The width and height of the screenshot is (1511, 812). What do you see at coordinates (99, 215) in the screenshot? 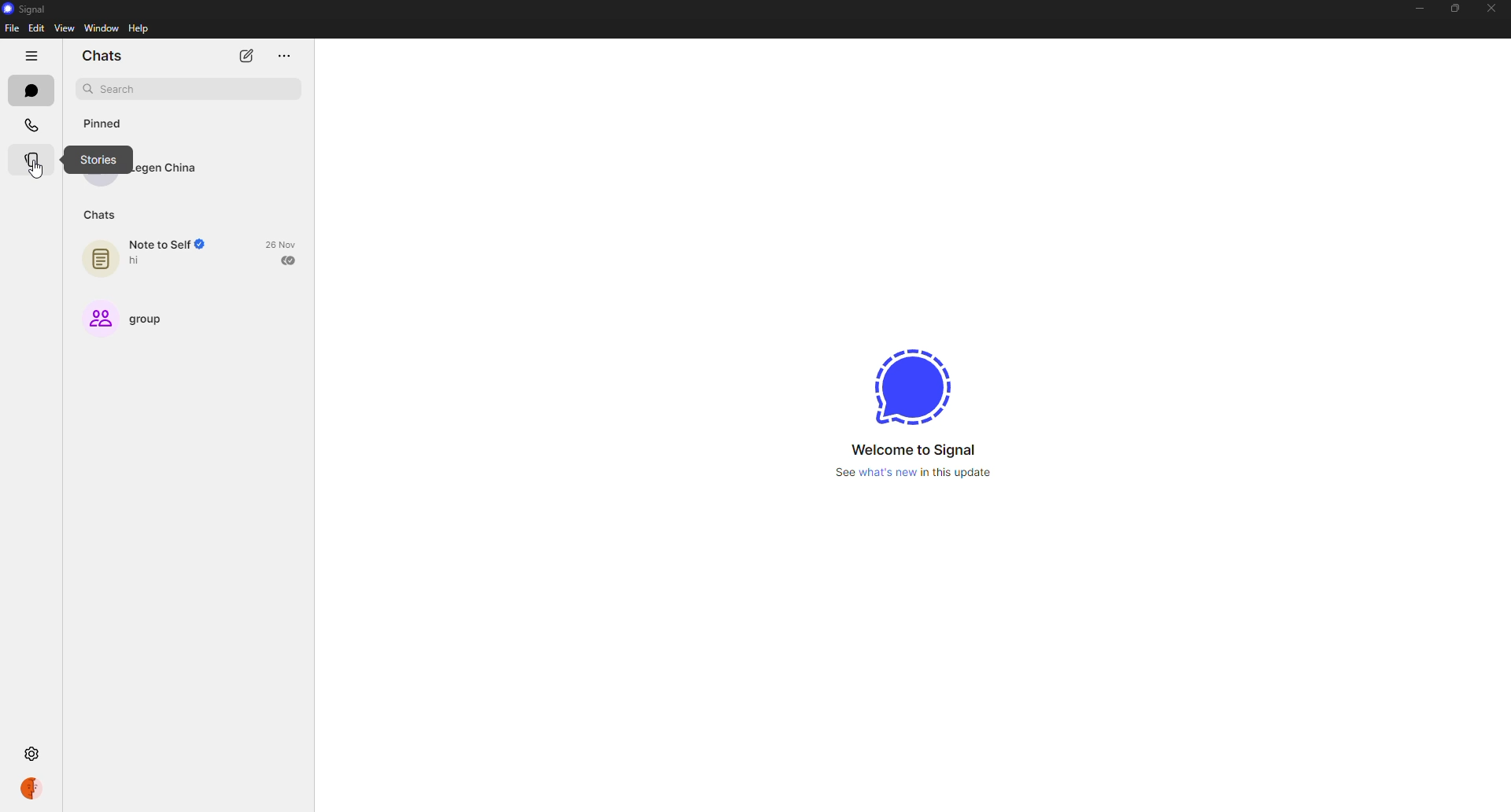
I see `chats` at bounding box center [99, 215].